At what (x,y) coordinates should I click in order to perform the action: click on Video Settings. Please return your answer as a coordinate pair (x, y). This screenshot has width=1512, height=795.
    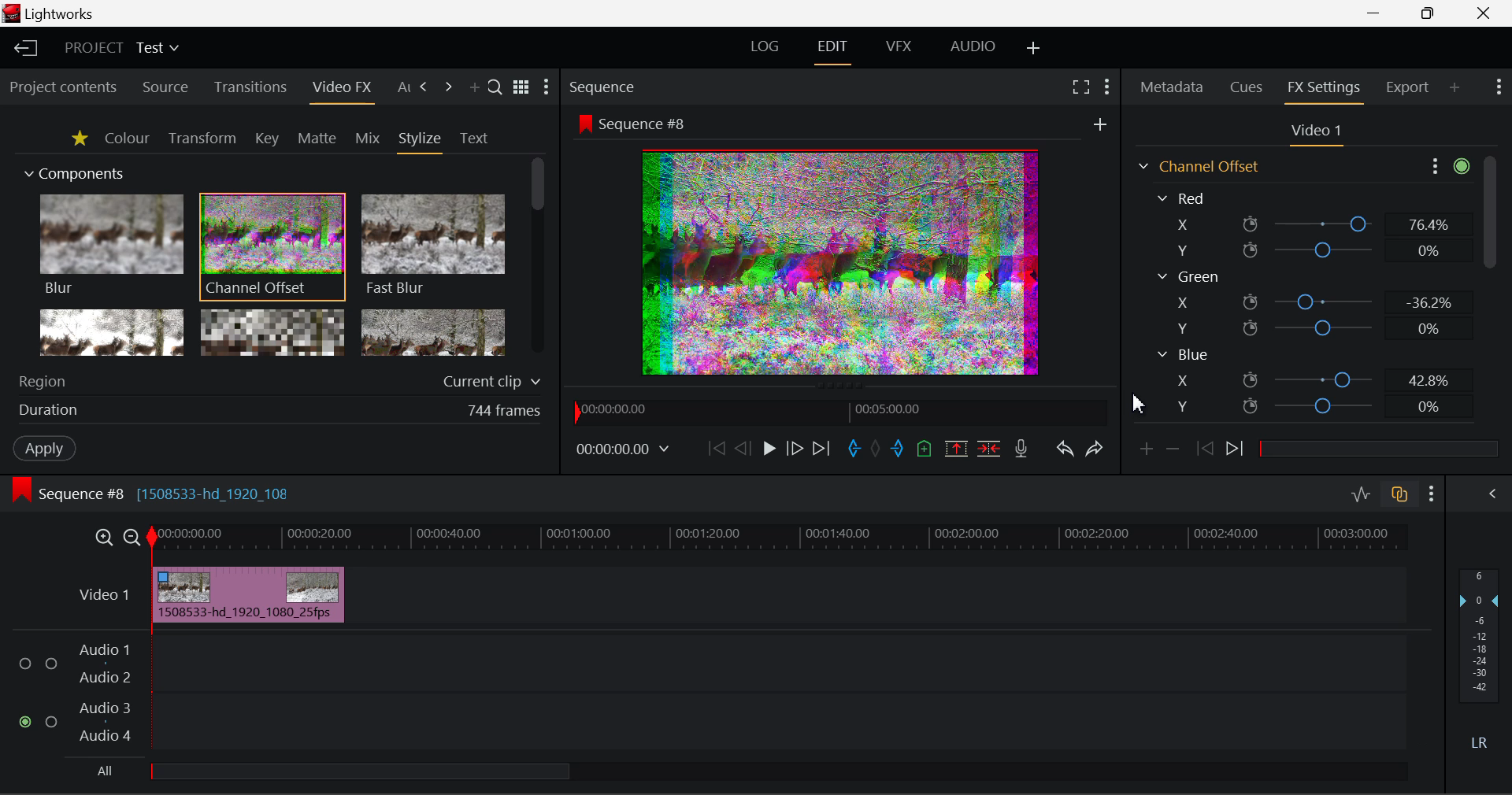
    Looking at the image, I should click on (1314, 134).